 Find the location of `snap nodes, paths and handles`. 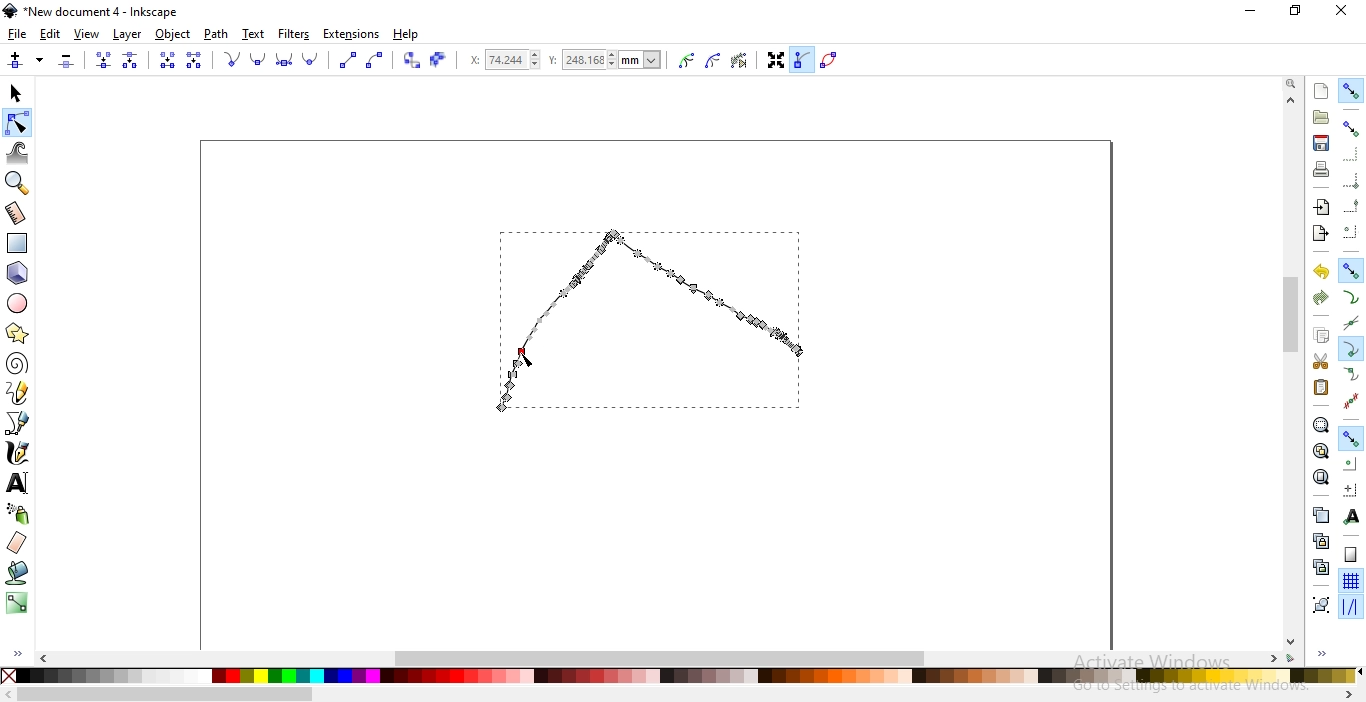

snap nodes, paths and handles is located at coordinates (1349, 269).